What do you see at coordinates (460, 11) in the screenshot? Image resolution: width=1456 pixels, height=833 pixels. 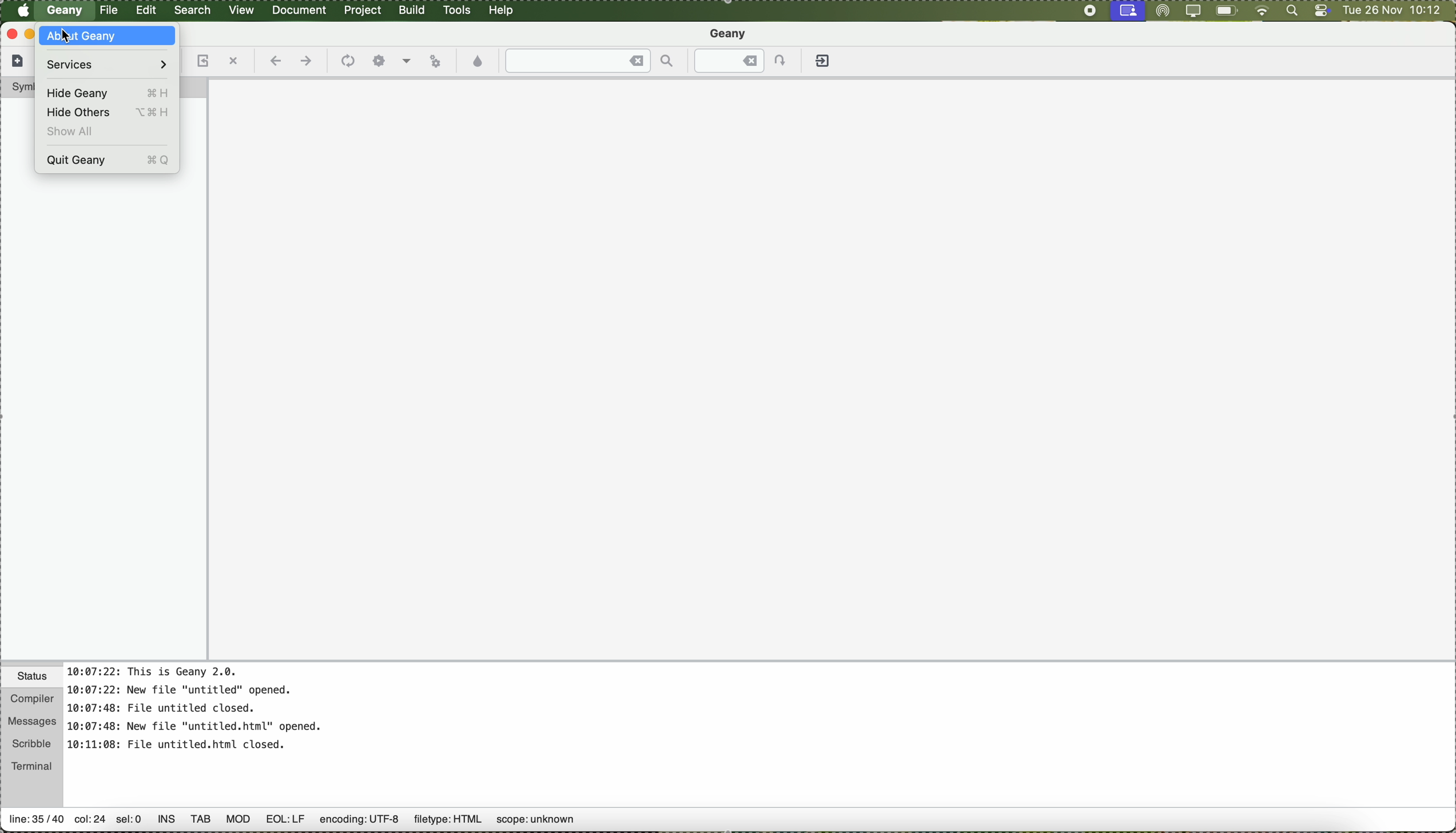 I see `tools` at bounding box center [460, 11].